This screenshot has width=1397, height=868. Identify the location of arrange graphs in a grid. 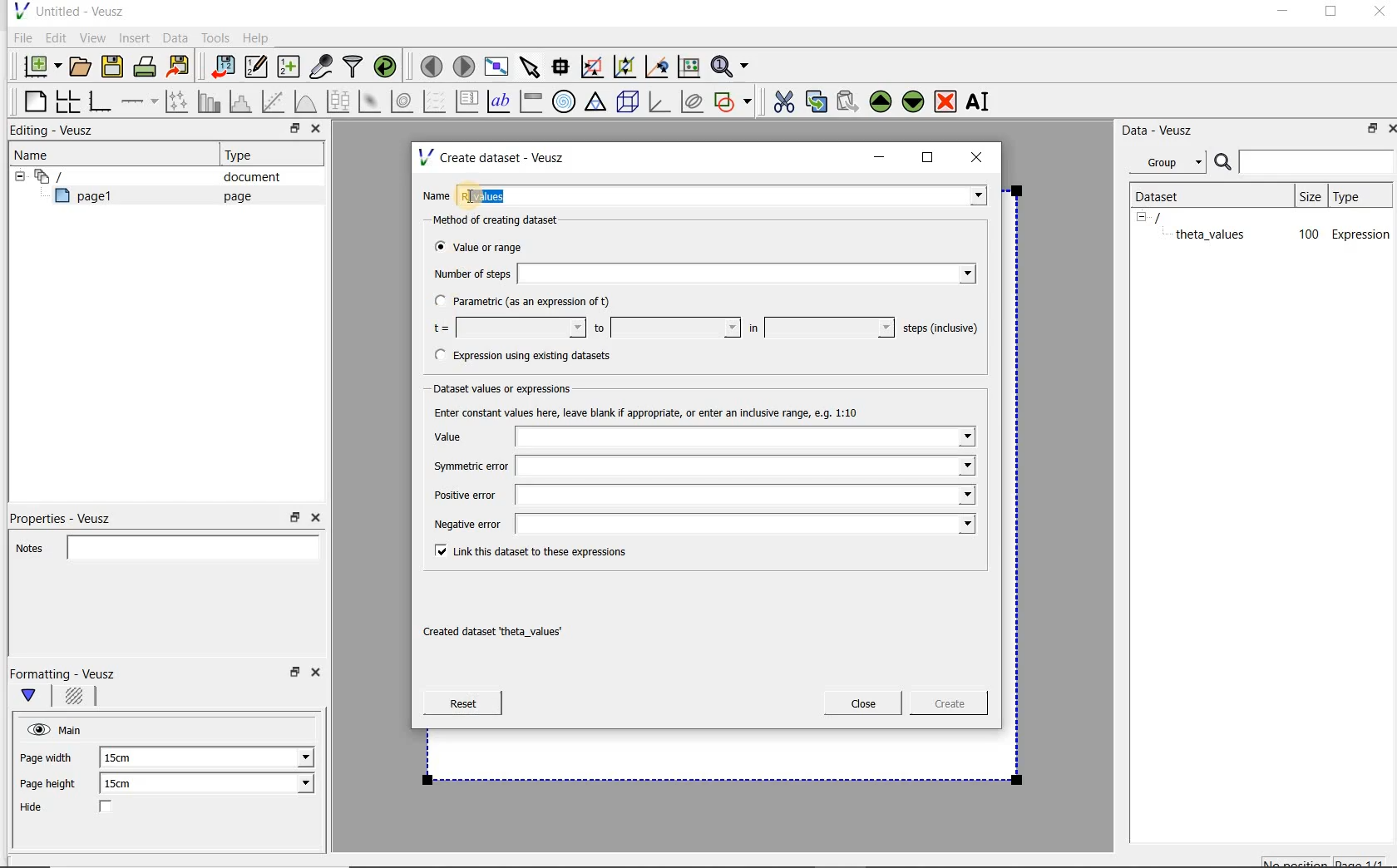
(67, 101).